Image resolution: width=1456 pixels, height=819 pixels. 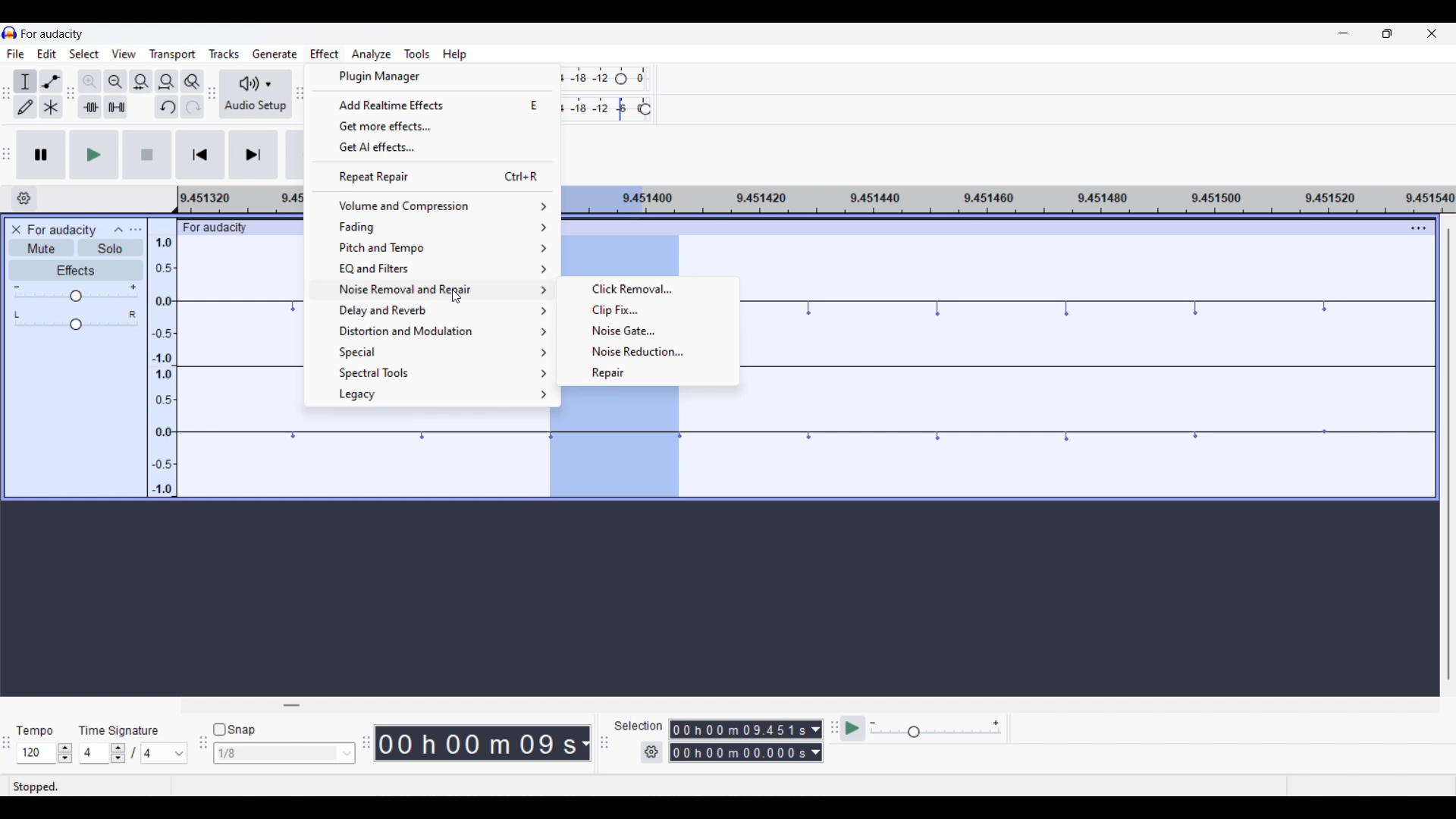 I want to click on Solo, so click(x=110, y=247).